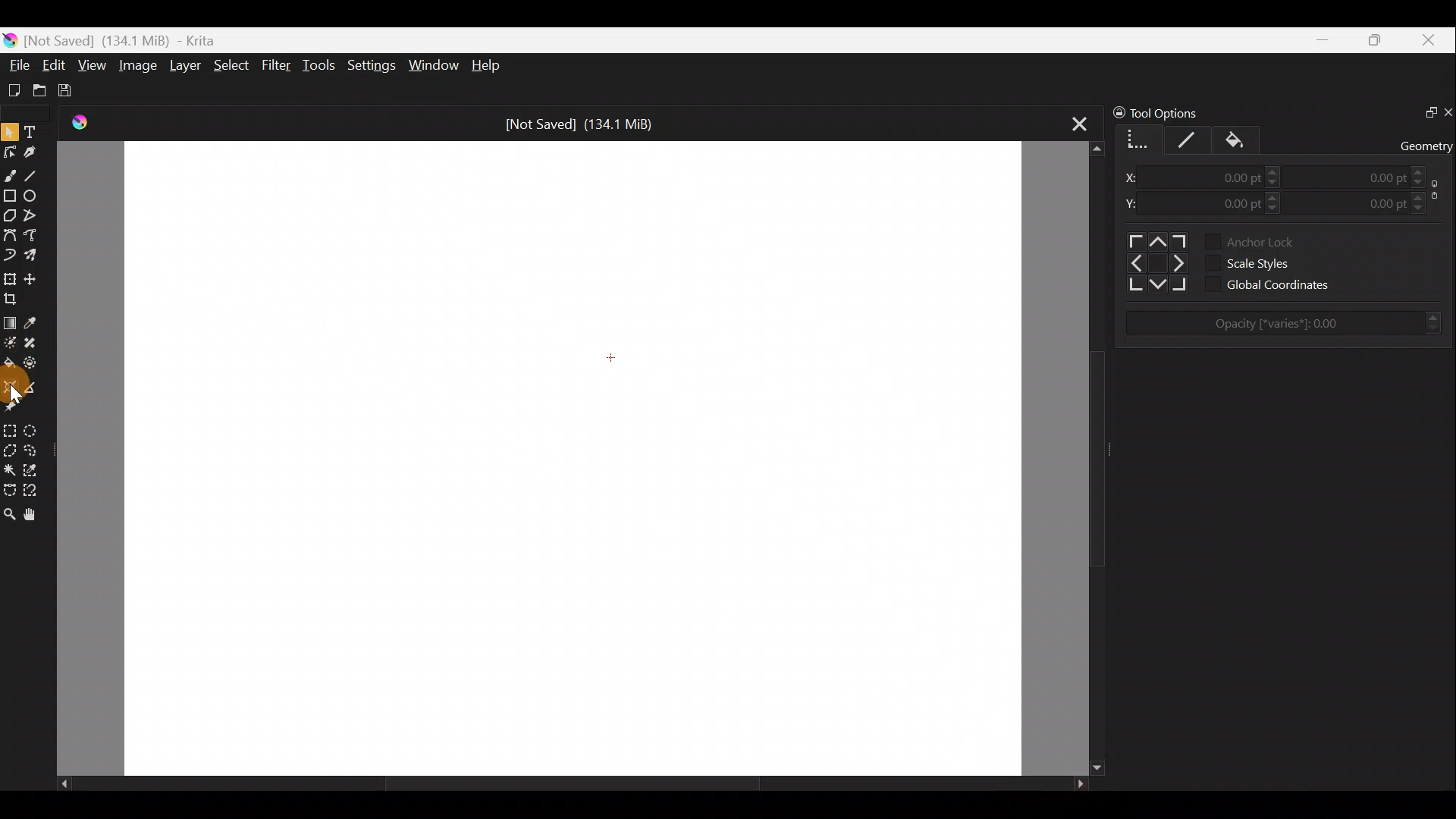  Describe the element at coordinates (1432, 41) in the screenshot. I see `Close` at that location.